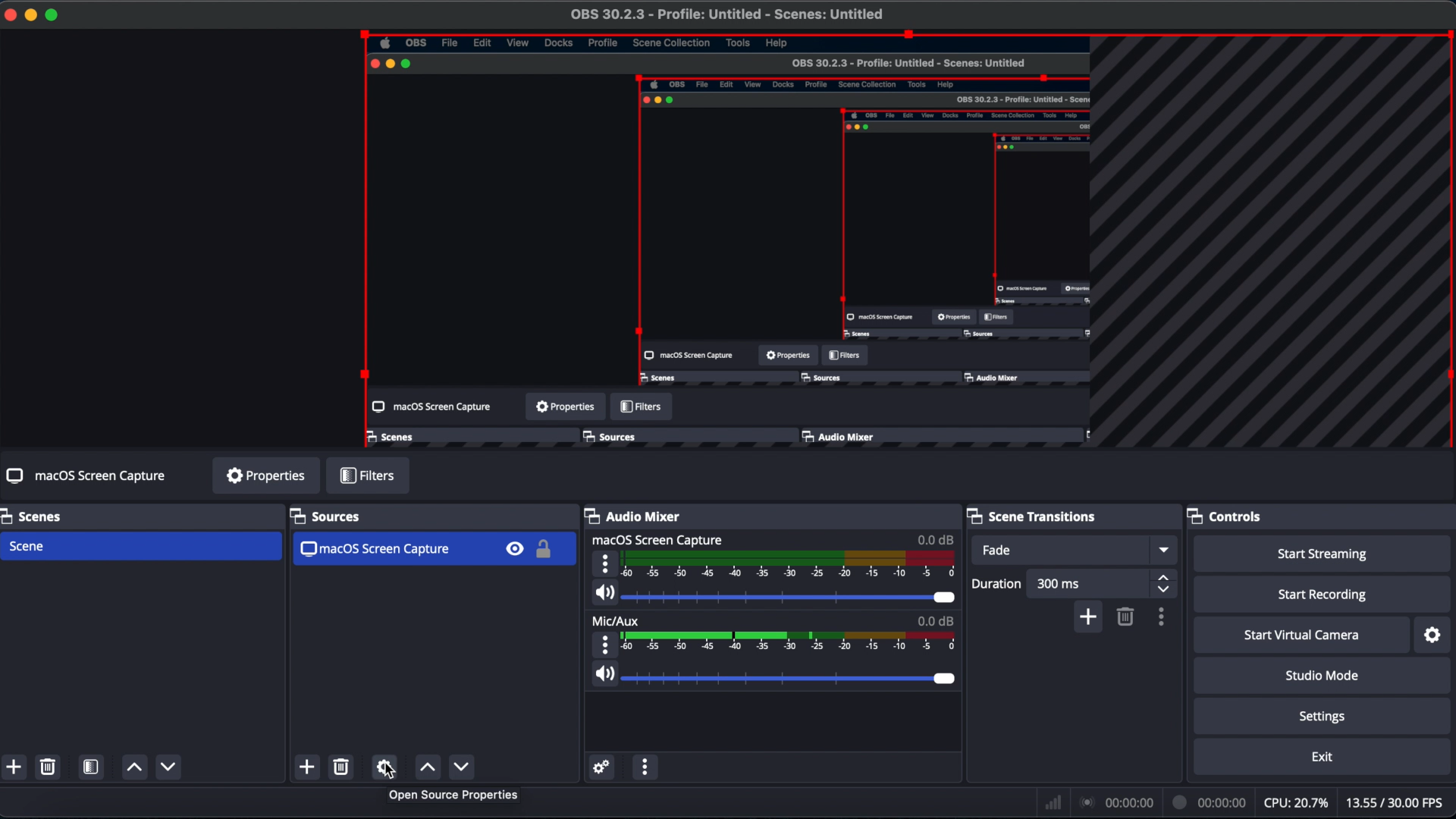 The height and width of the screenshot is (819, 1456). I want to click on volume slider handle, so click(944, 598).